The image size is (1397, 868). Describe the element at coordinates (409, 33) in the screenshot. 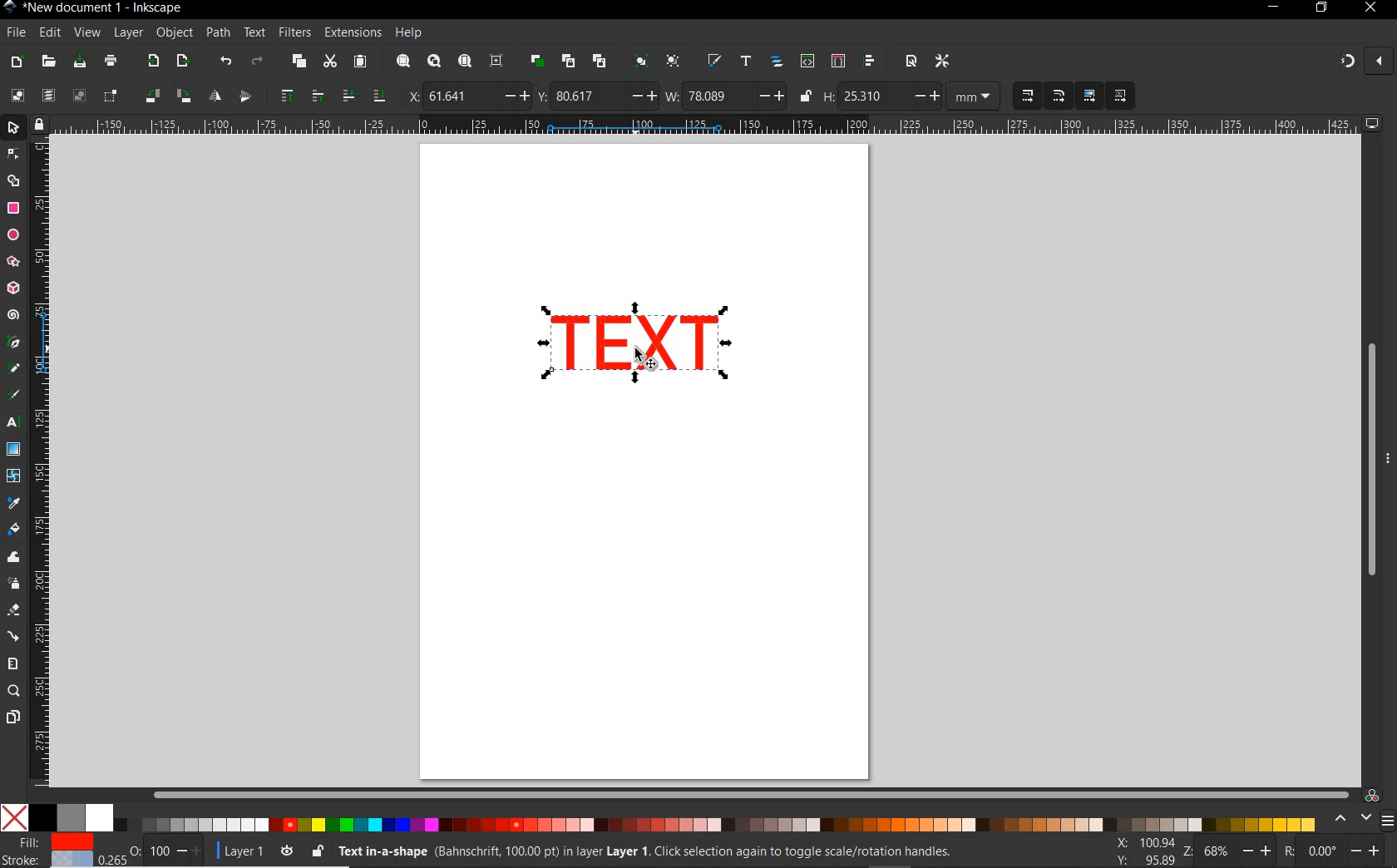

I see `help` at that location.